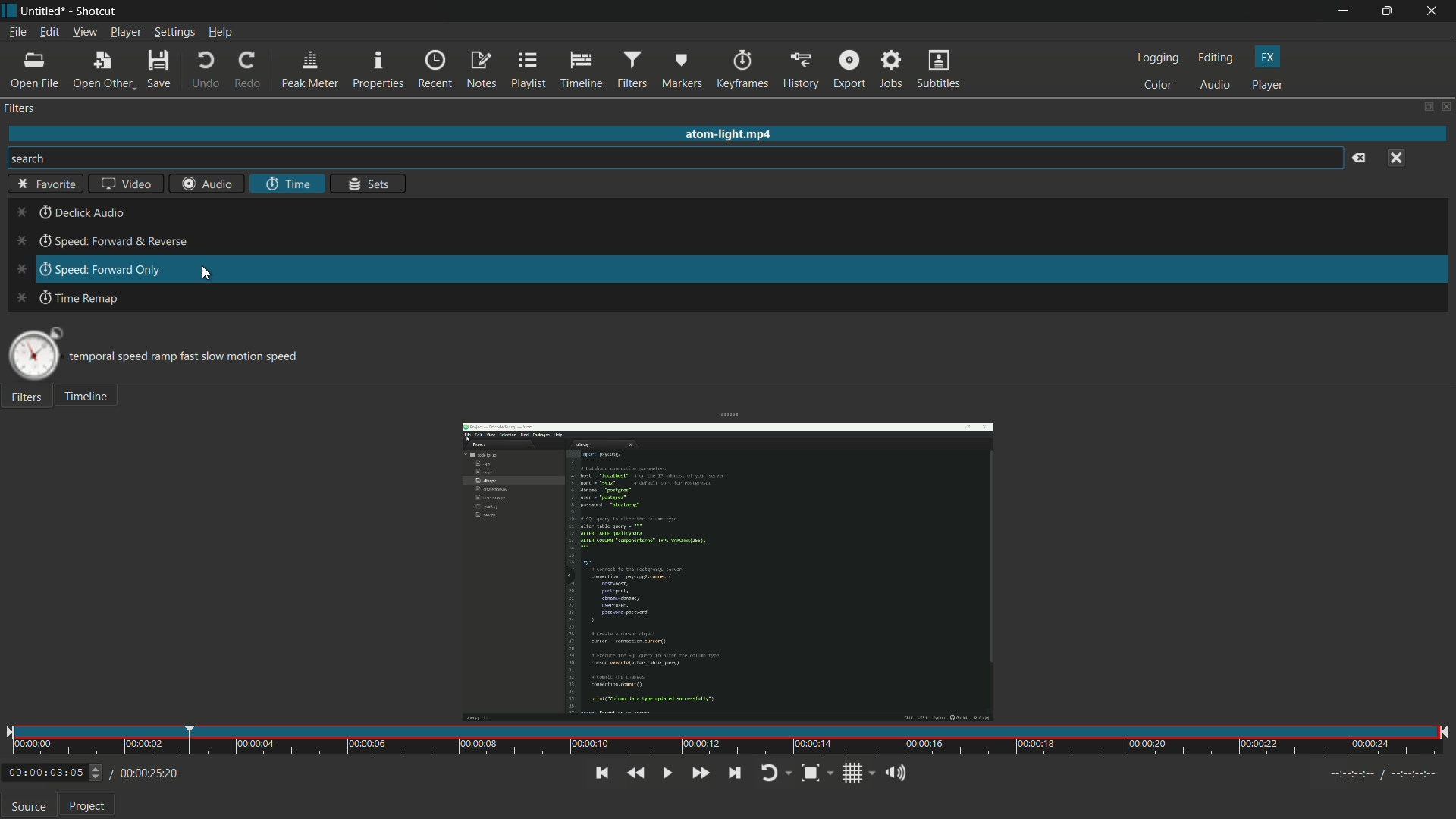 Image resolution: width=1456 pixels, height=819 pixels. What do you see at coordinates (683, 71) in the screenshot?
I see `markers` at bounding box center [683, 71].